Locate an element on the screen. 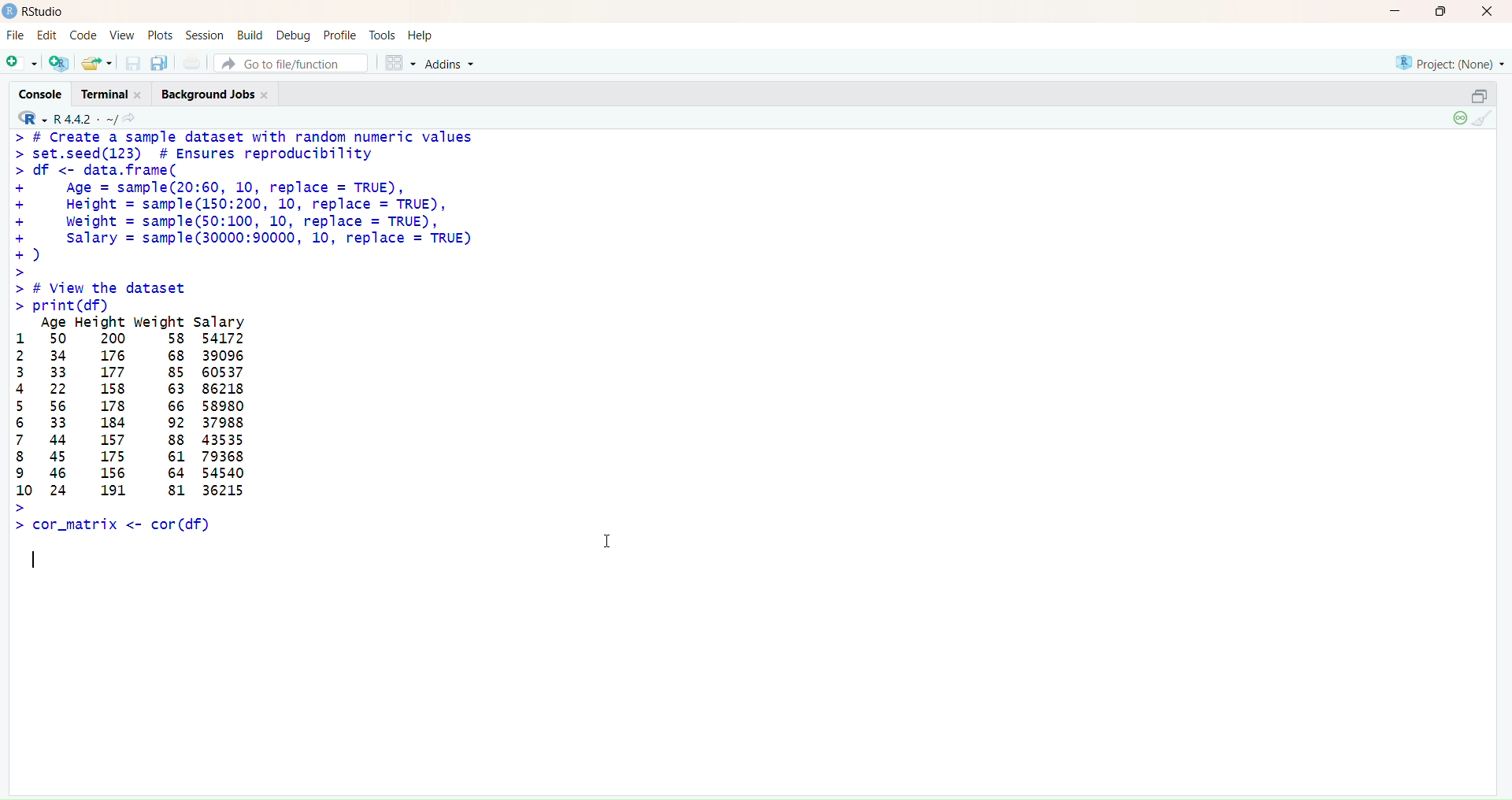  R442/ ~/ is located at coordinates (87, 117).